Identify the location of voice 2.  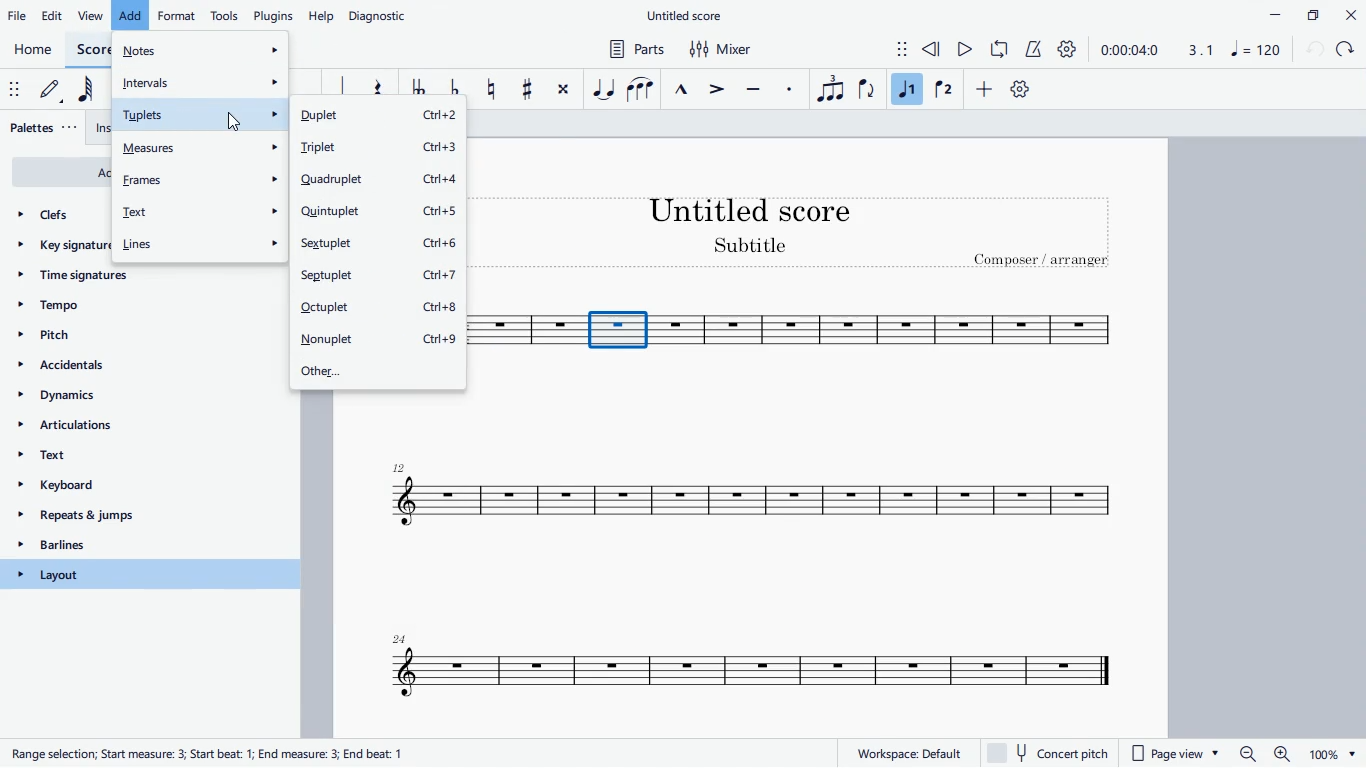
(943, 91).